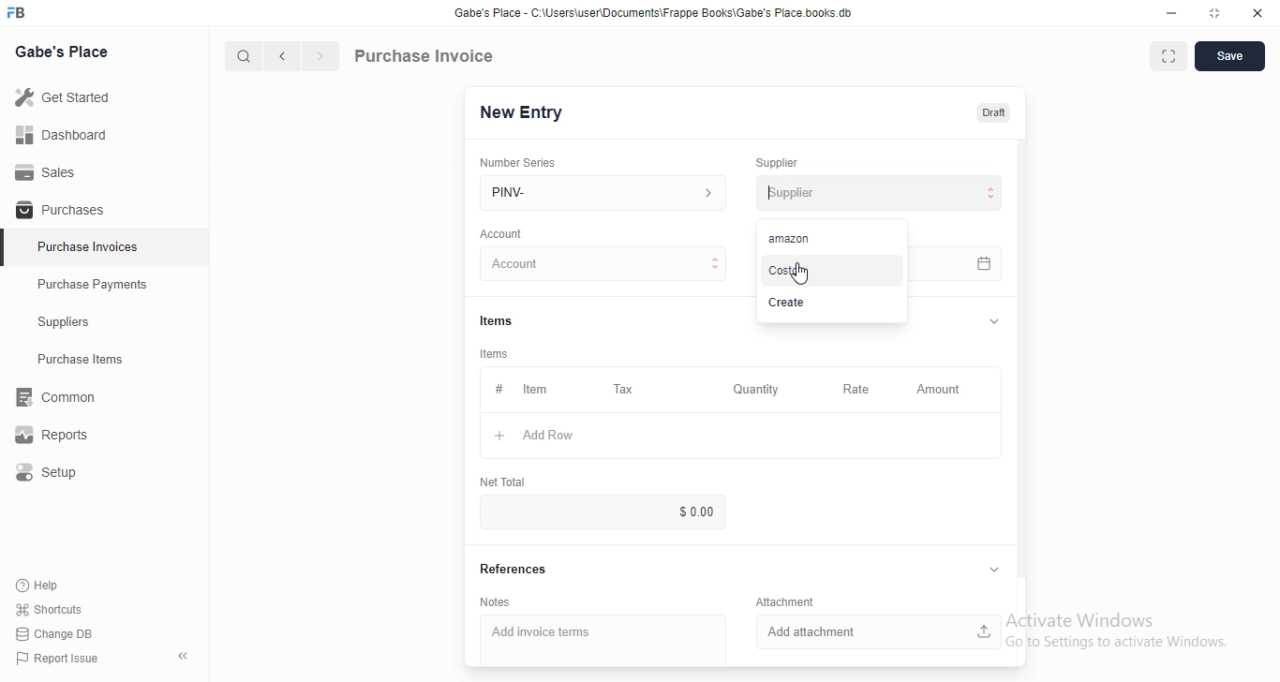  I want to click on Help, so click(49, 586).